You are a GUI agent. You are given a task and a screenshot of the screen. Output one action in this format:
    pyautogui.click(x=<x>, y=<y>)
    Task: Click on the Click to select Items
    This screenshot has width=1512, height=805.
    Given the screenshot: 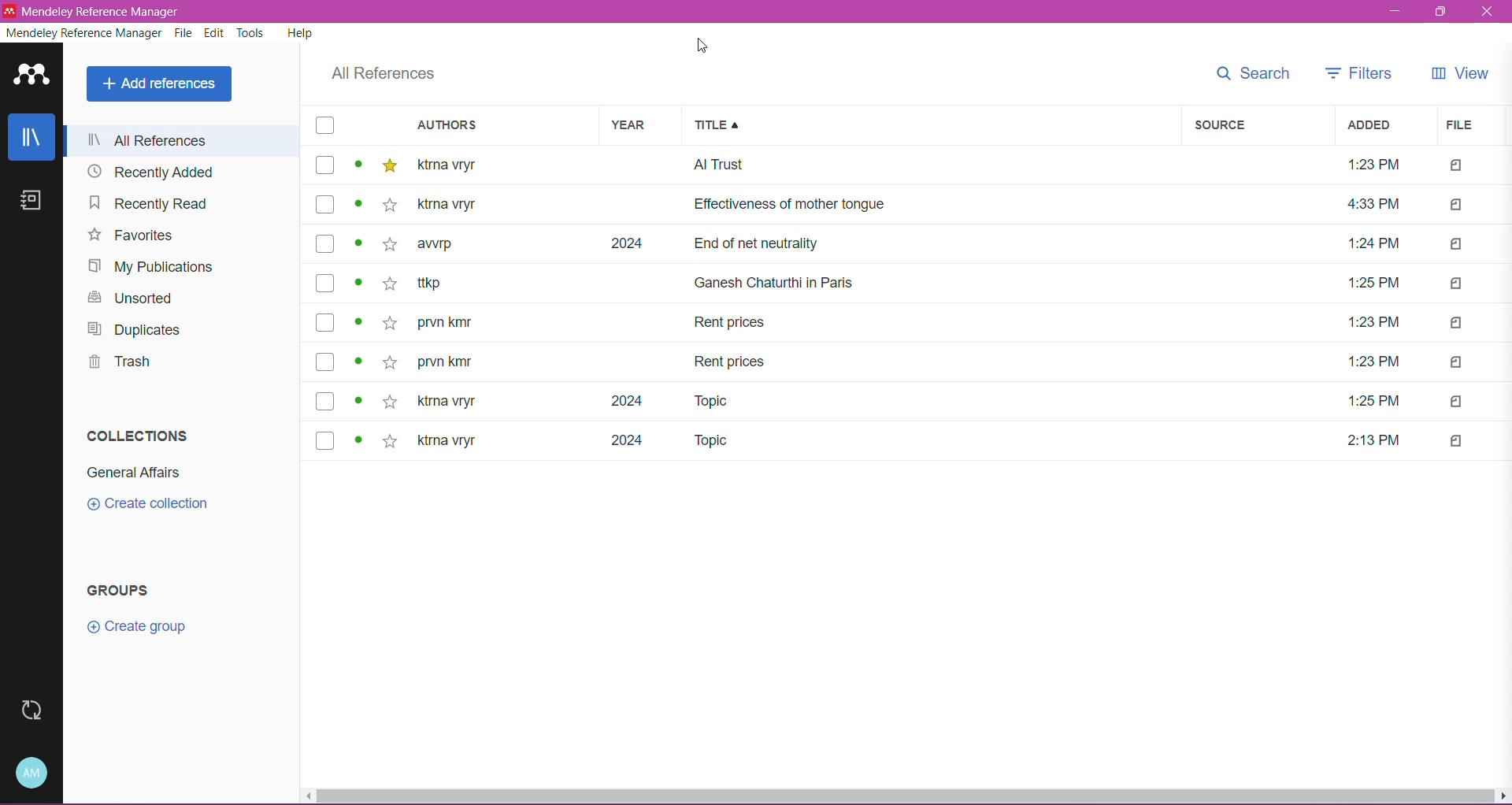 What is the action you would take?
    pyautogui.click(x=324, y=284)
    